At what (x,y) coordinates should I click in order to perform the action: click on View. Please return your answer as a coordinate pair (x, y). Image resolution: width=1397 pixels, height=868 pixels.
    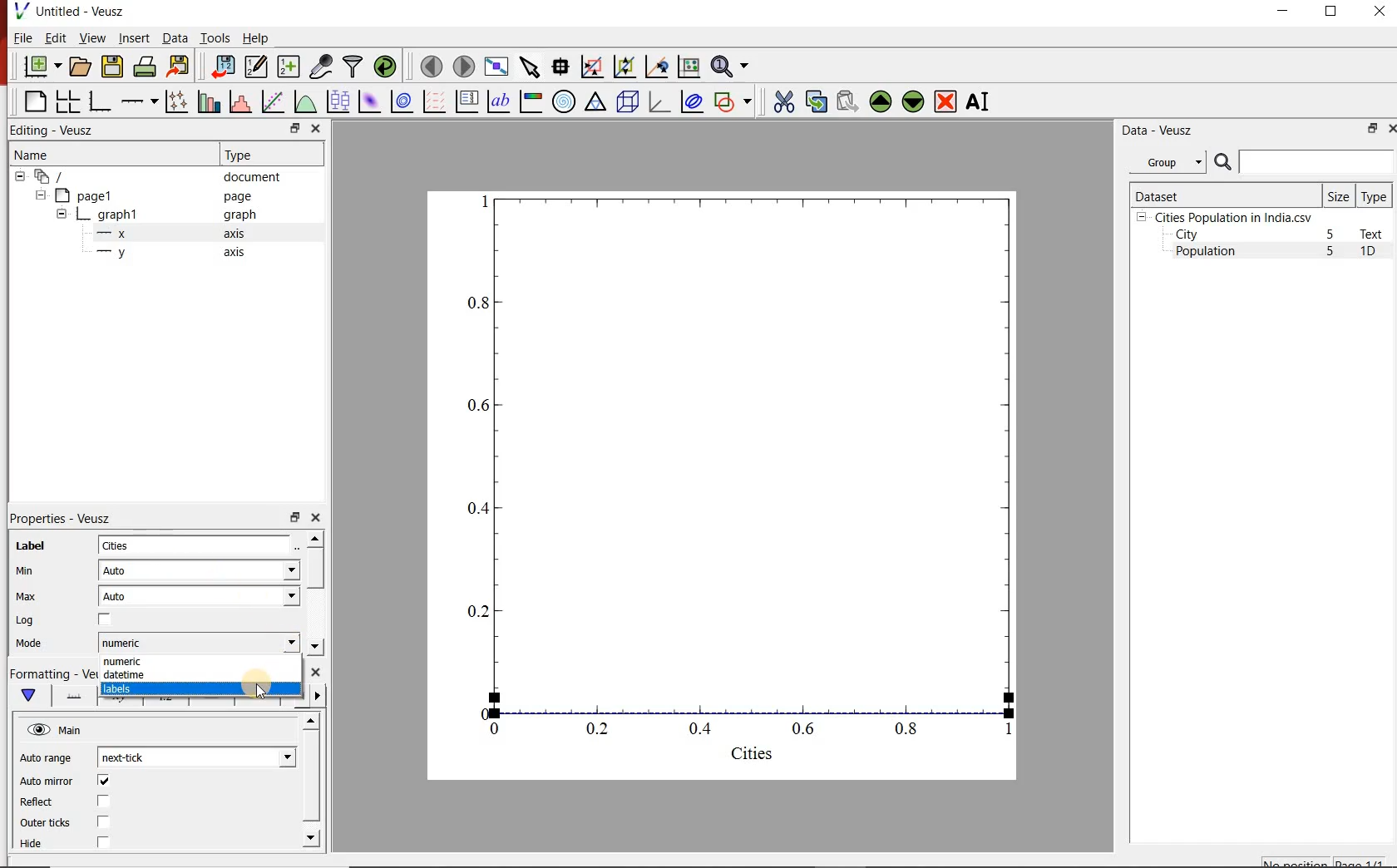
    Looking at the image, I should click on (89, 37).